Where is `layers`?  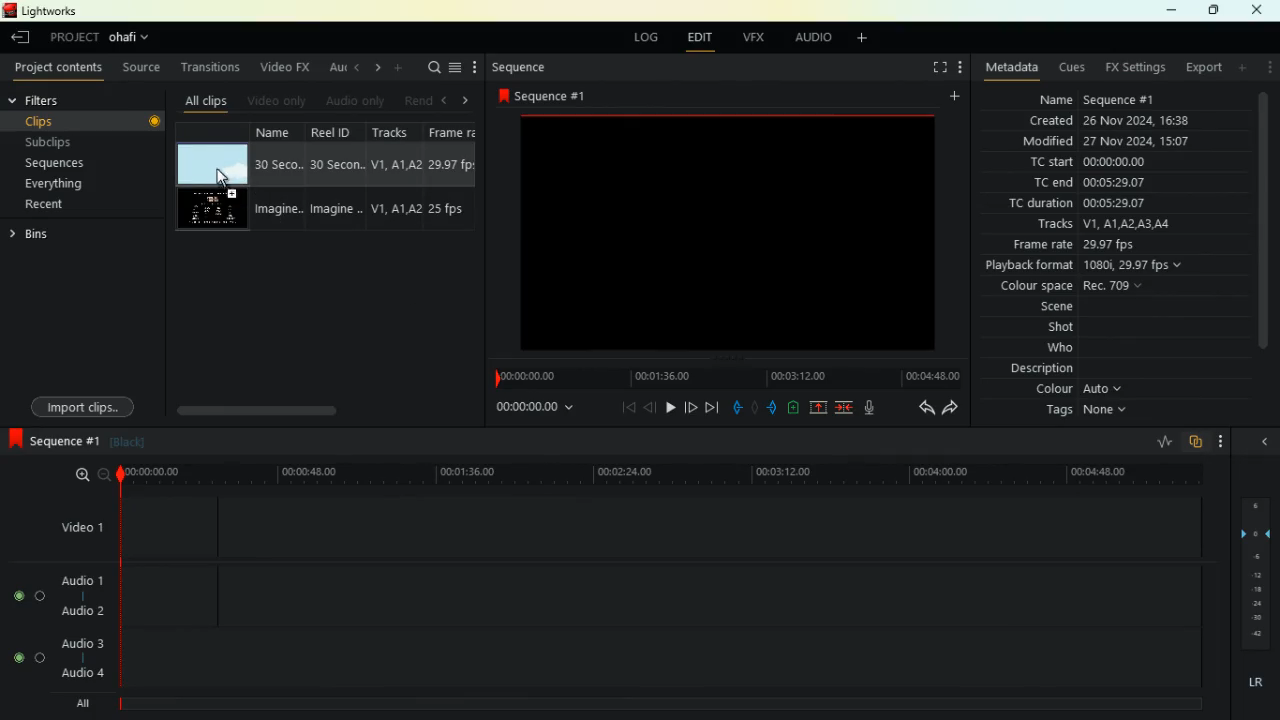 layers is located at coordinates (1255, 578).